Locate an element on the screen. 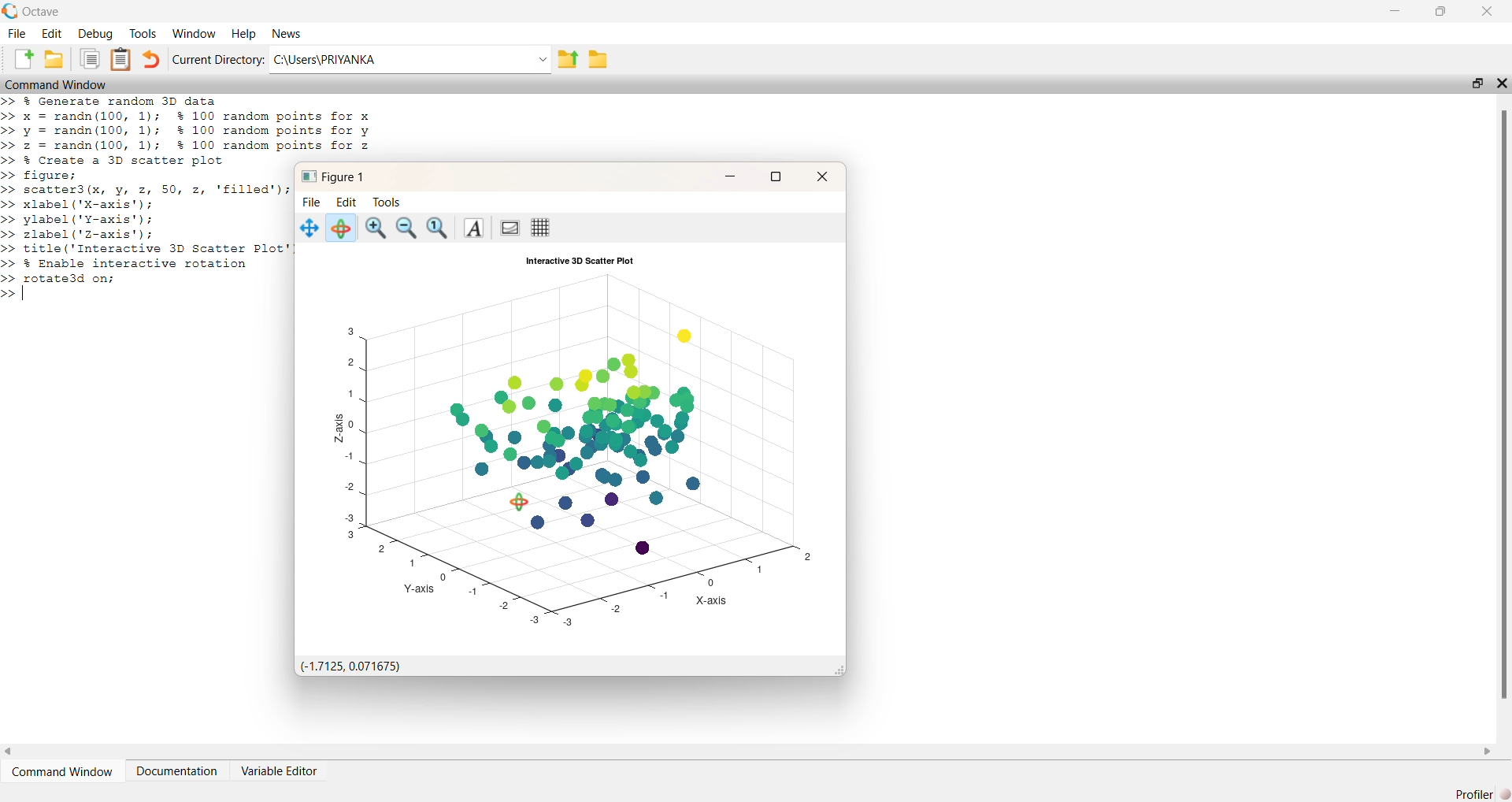 The width and height of the screenshot is (1512, 802). document clipboard is located at coordinates (120, 59).